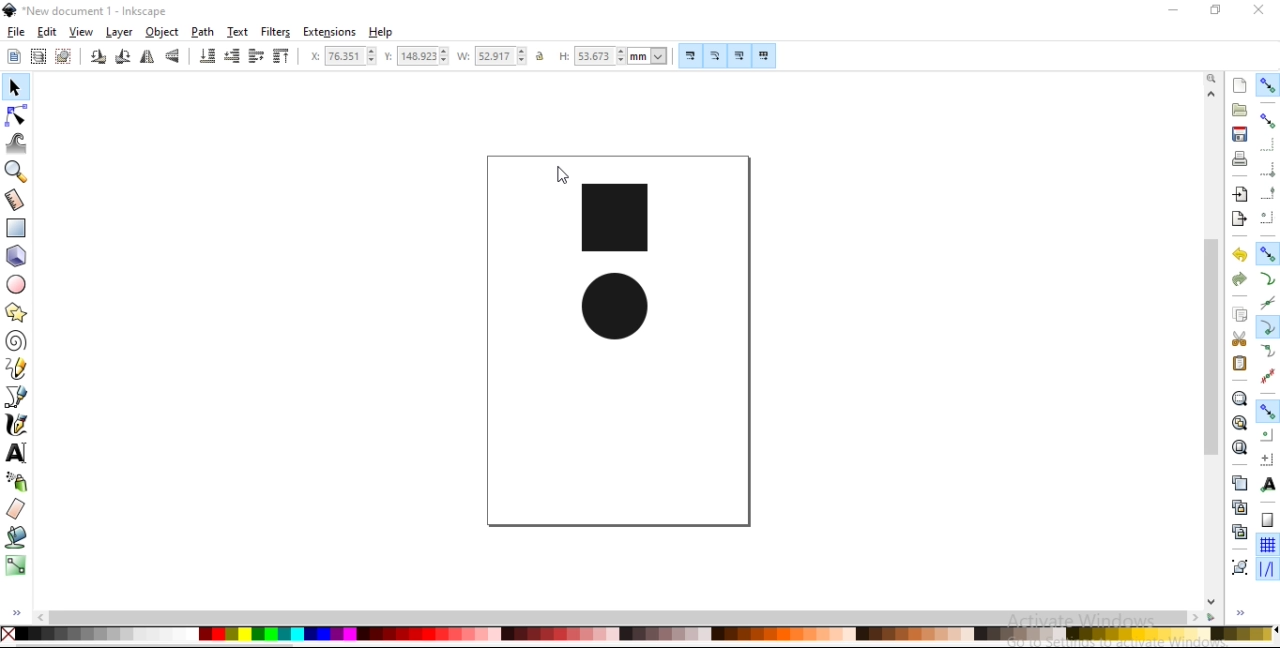 The height and width of the screenshot is (648, 1280). Describe the element at coordinates (329, 33) in the screenshot. I see `extensions` at that location.